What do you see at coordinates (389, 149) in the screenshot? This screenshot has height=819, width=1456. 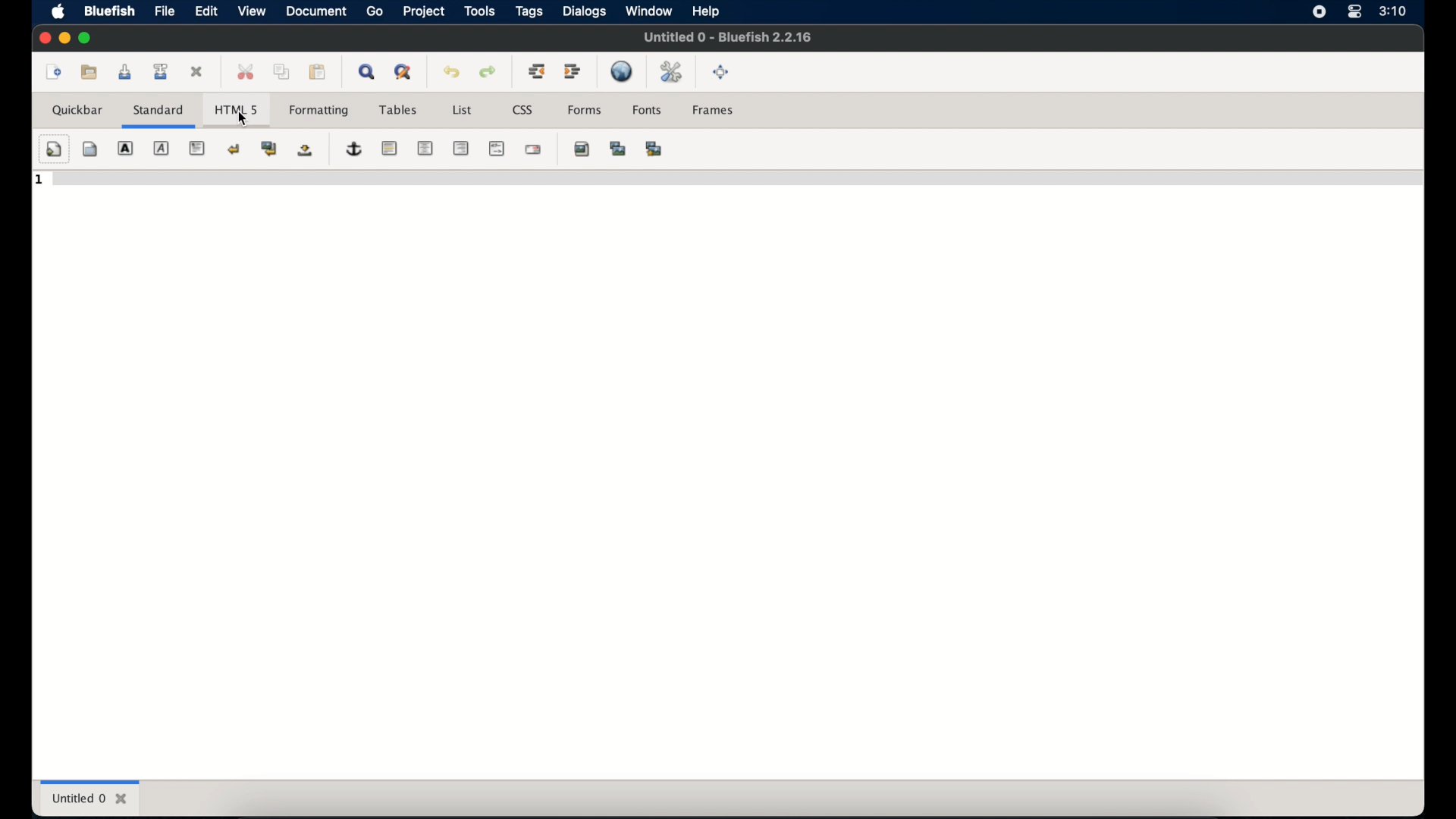 I see `horizontal rule` at bounding box center [389, 149].